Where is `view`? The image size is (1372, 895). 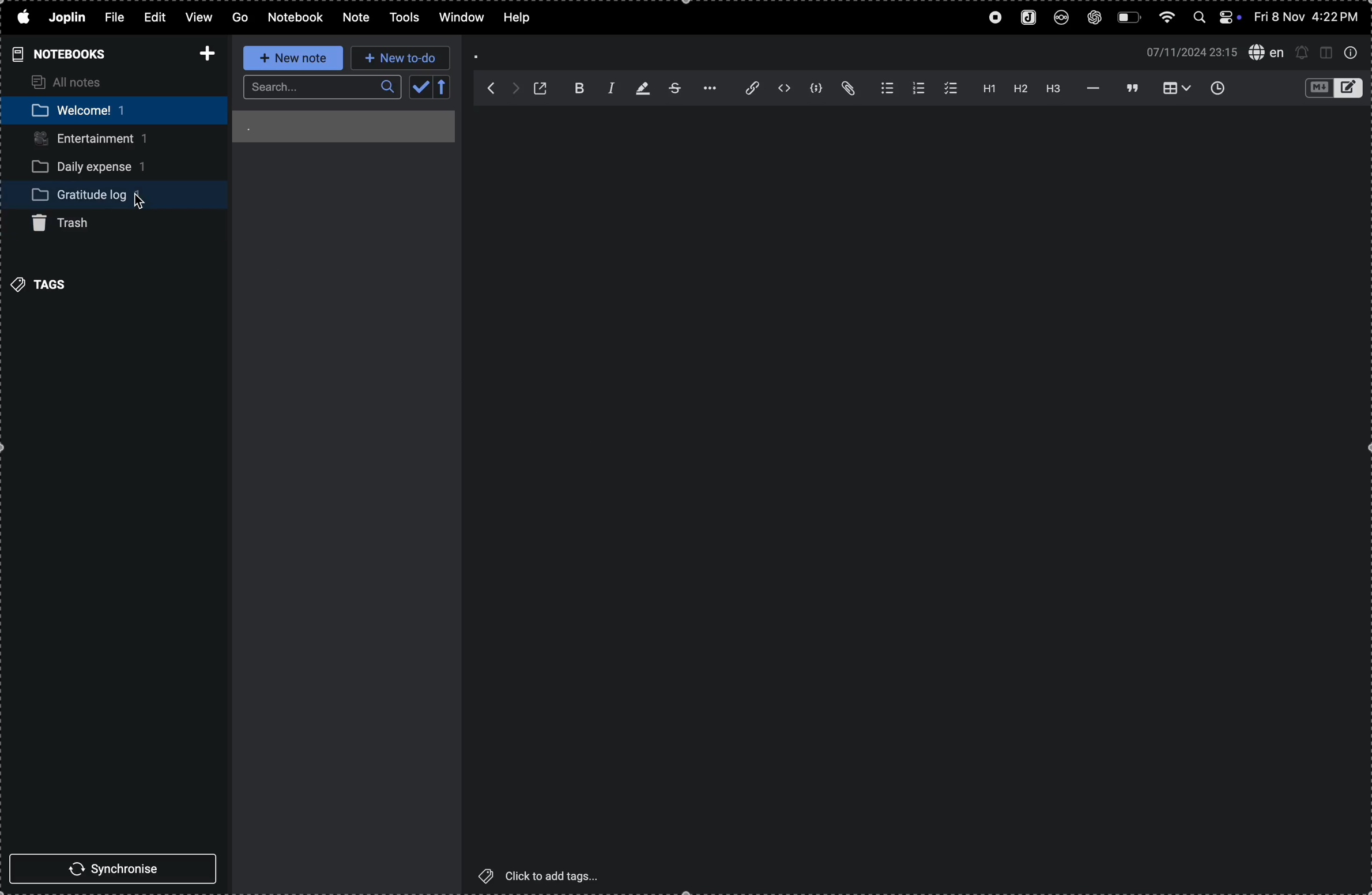 view is located at coordinates (198, 18).